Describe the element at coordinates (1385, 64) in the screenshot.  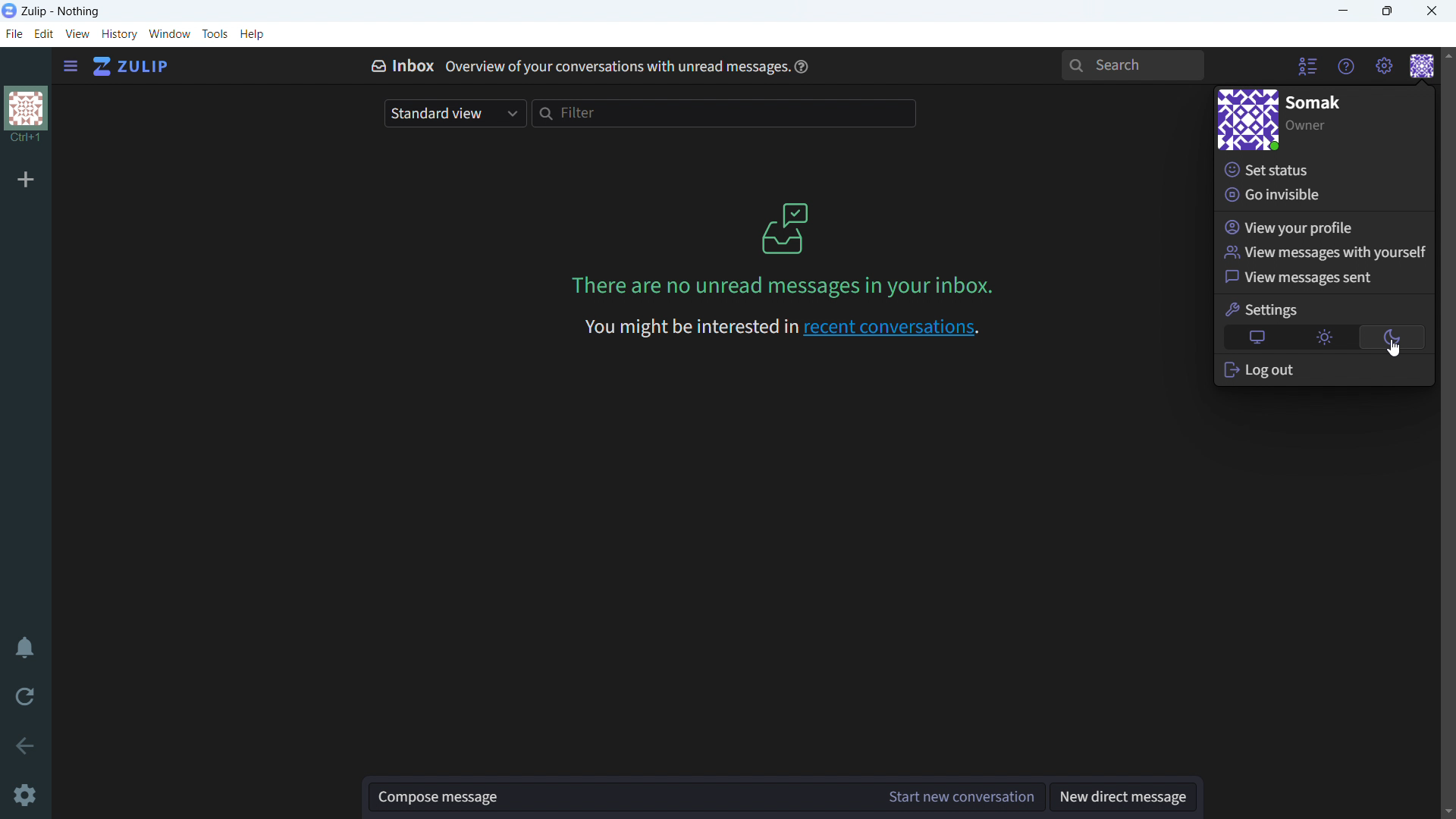
I see `main menu` at that location.